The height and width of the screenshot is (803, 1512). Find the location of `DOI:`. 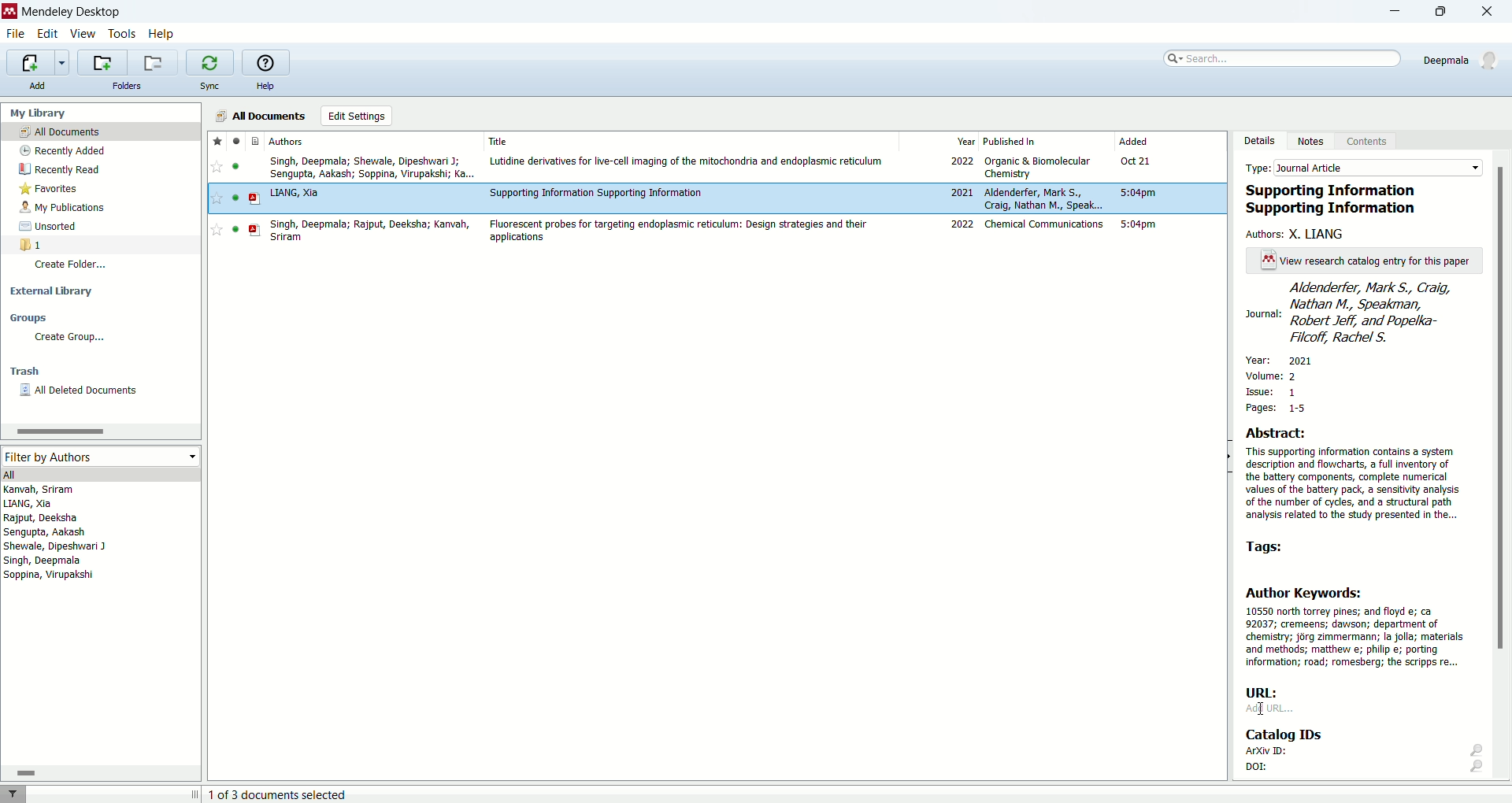

DOI: is located at coordinates (1365, 770).